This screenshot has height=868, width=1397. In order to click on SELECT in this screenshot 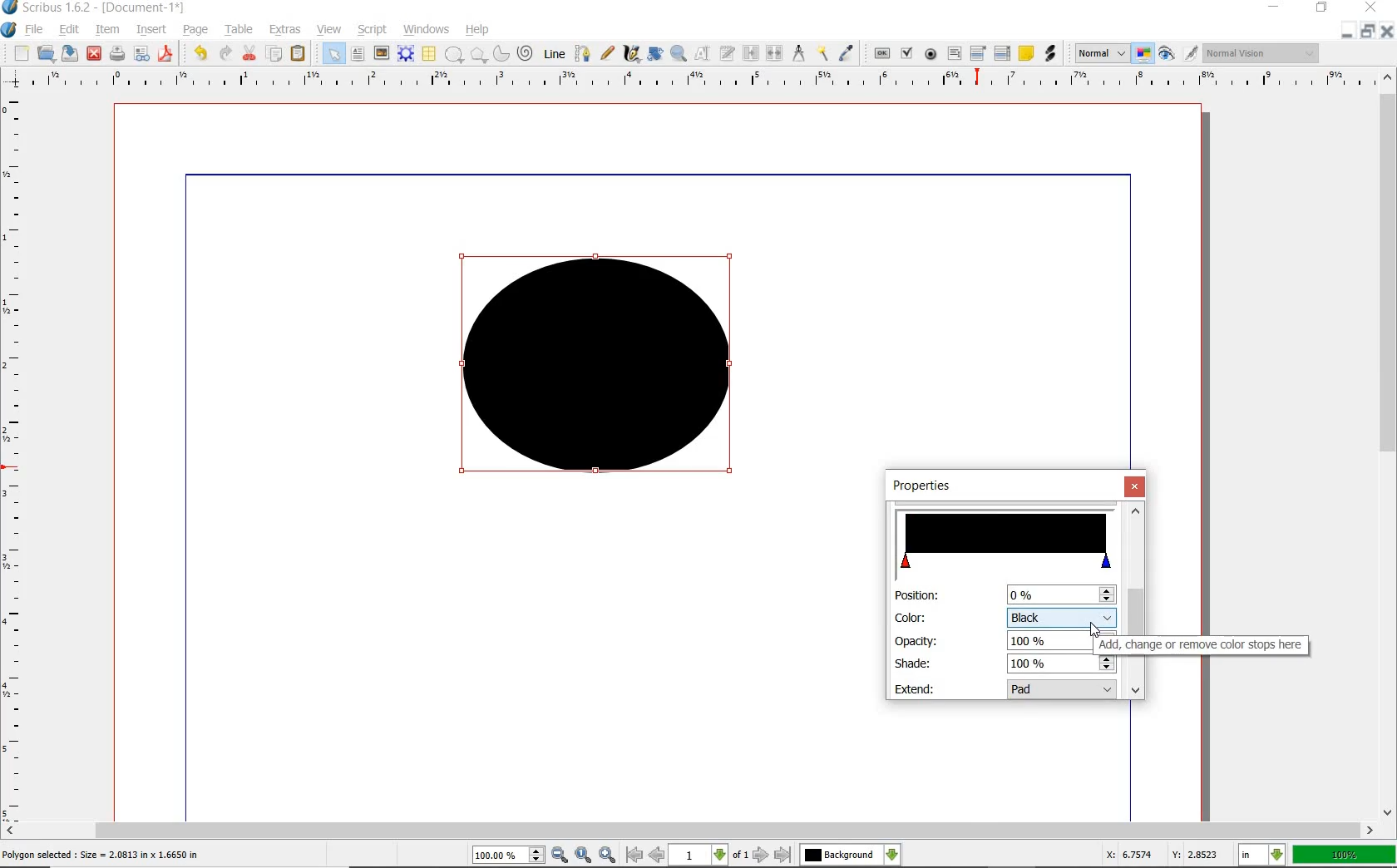, I will do `click(333, 55)`.